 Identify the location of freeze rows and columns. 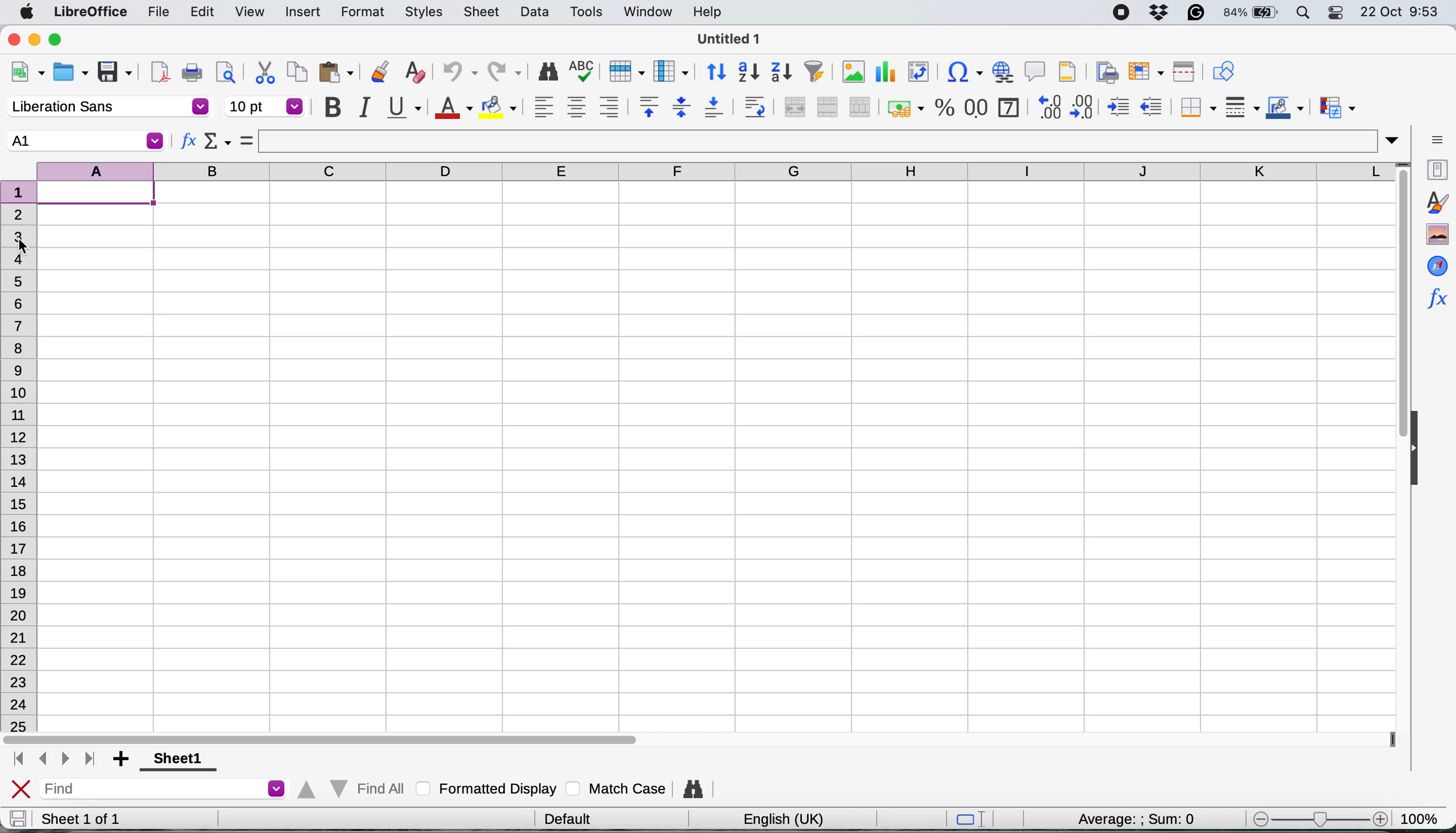
(1143, 72).